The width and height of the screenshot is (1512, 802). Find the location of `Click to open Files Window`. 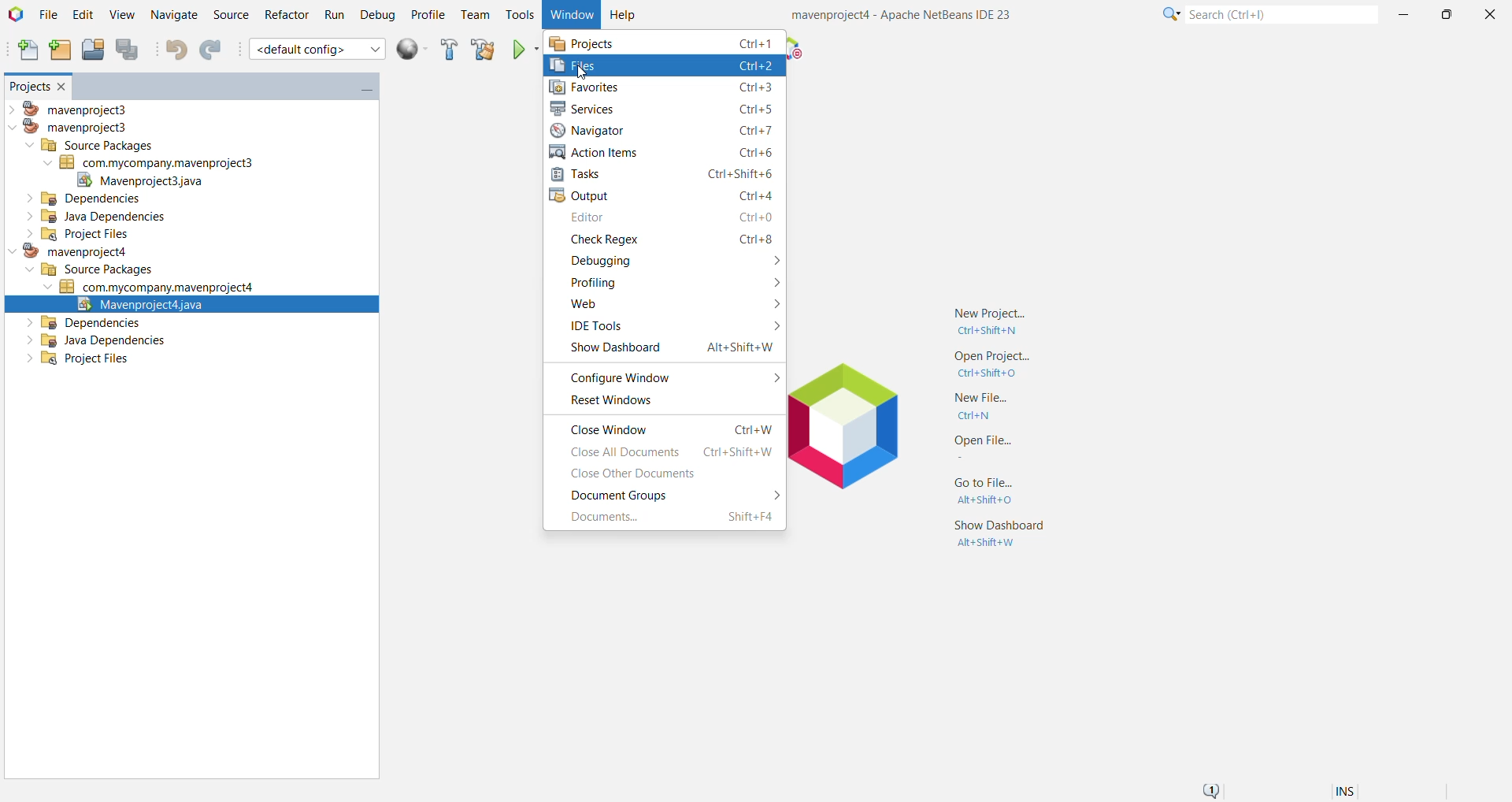

Click to open Files Window is located at coordinates (663, 64).